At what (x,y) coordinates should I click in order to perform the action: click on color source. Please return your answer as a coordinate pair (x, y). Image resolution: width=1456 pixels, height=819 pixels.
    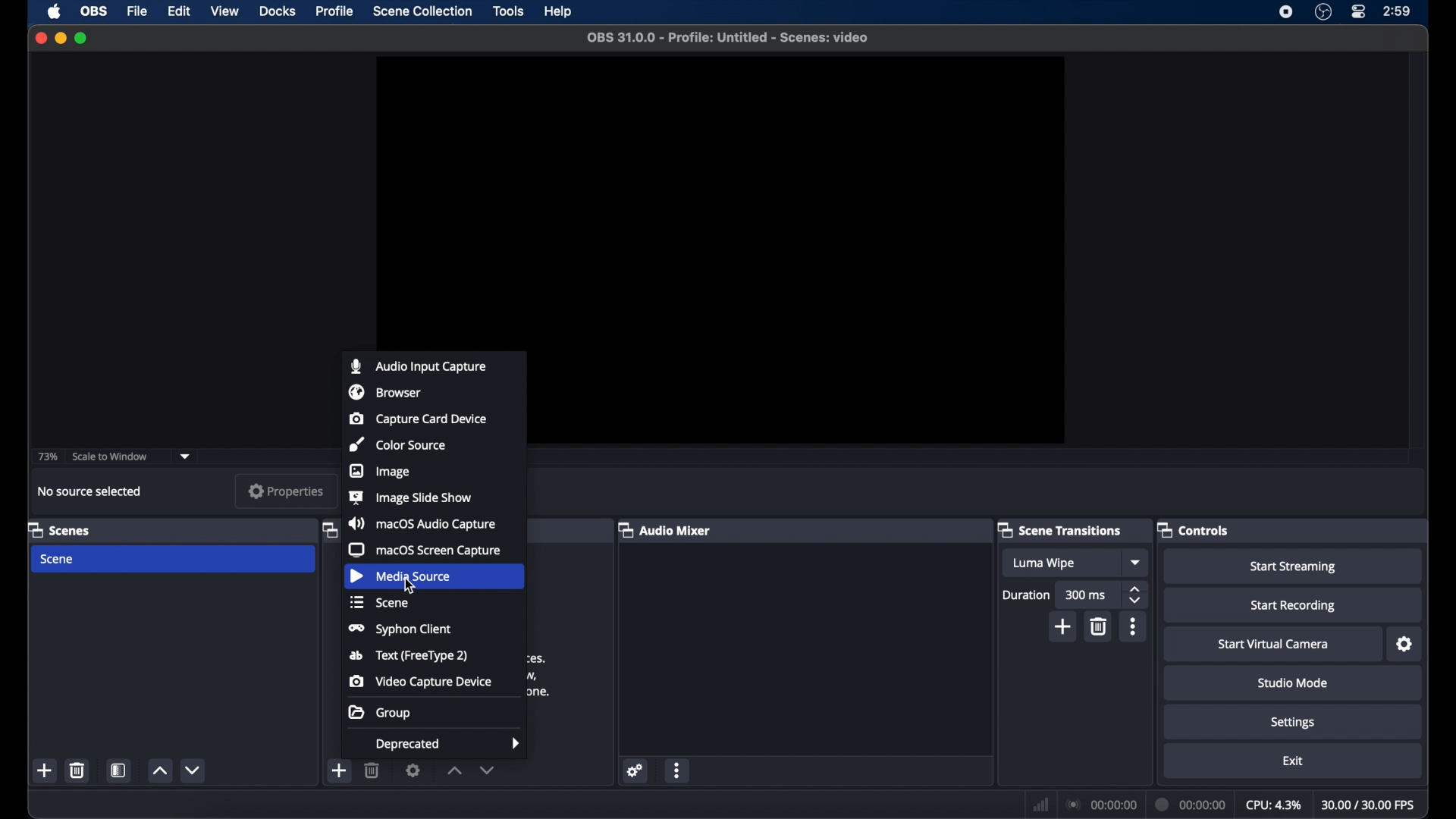
    Looking at the image, I should click on (397, 444).